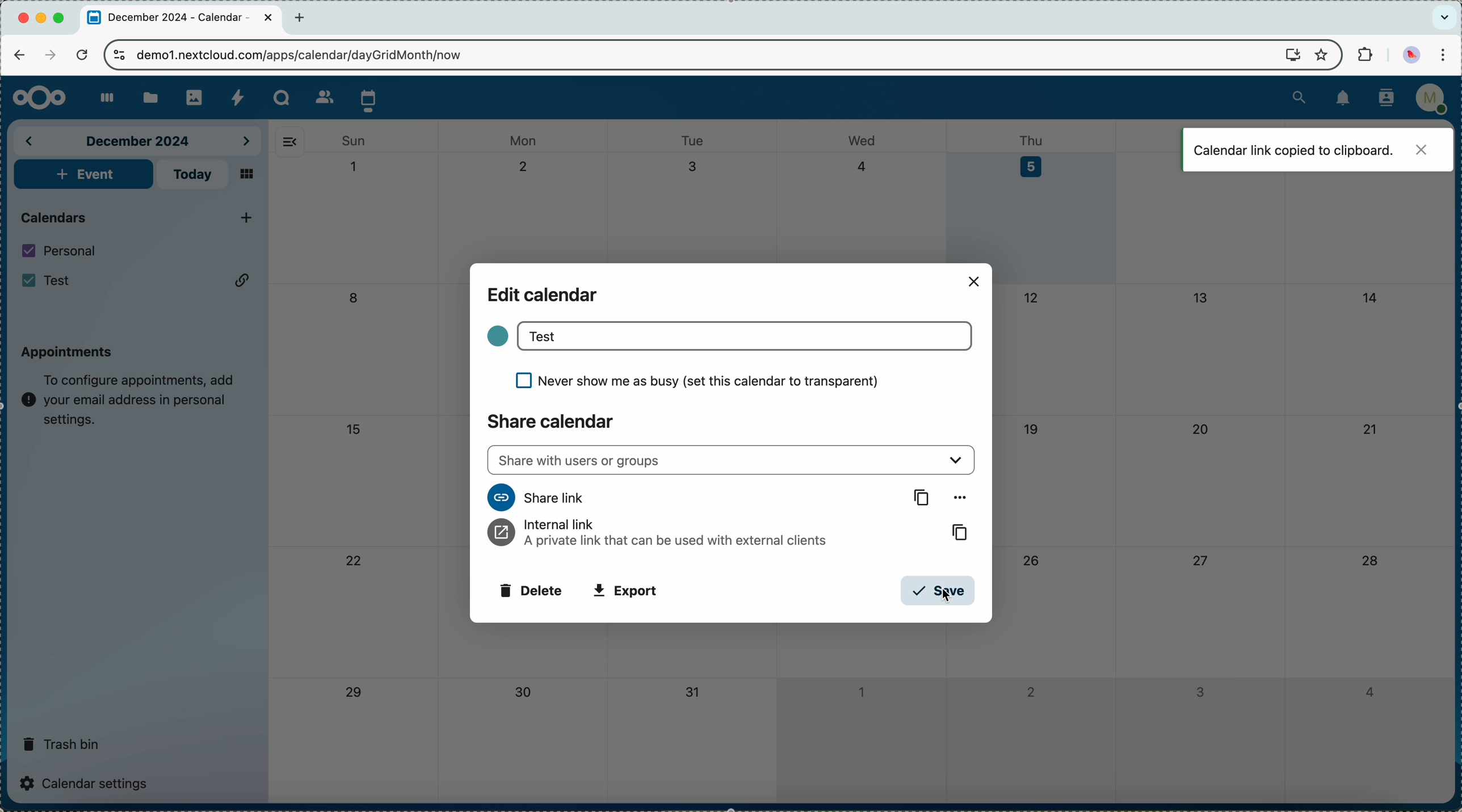 This screenshot has height=812, width=1462. Describe the element at coordinates (1343, 99) in the screenshot. I see `notifications` at that location.